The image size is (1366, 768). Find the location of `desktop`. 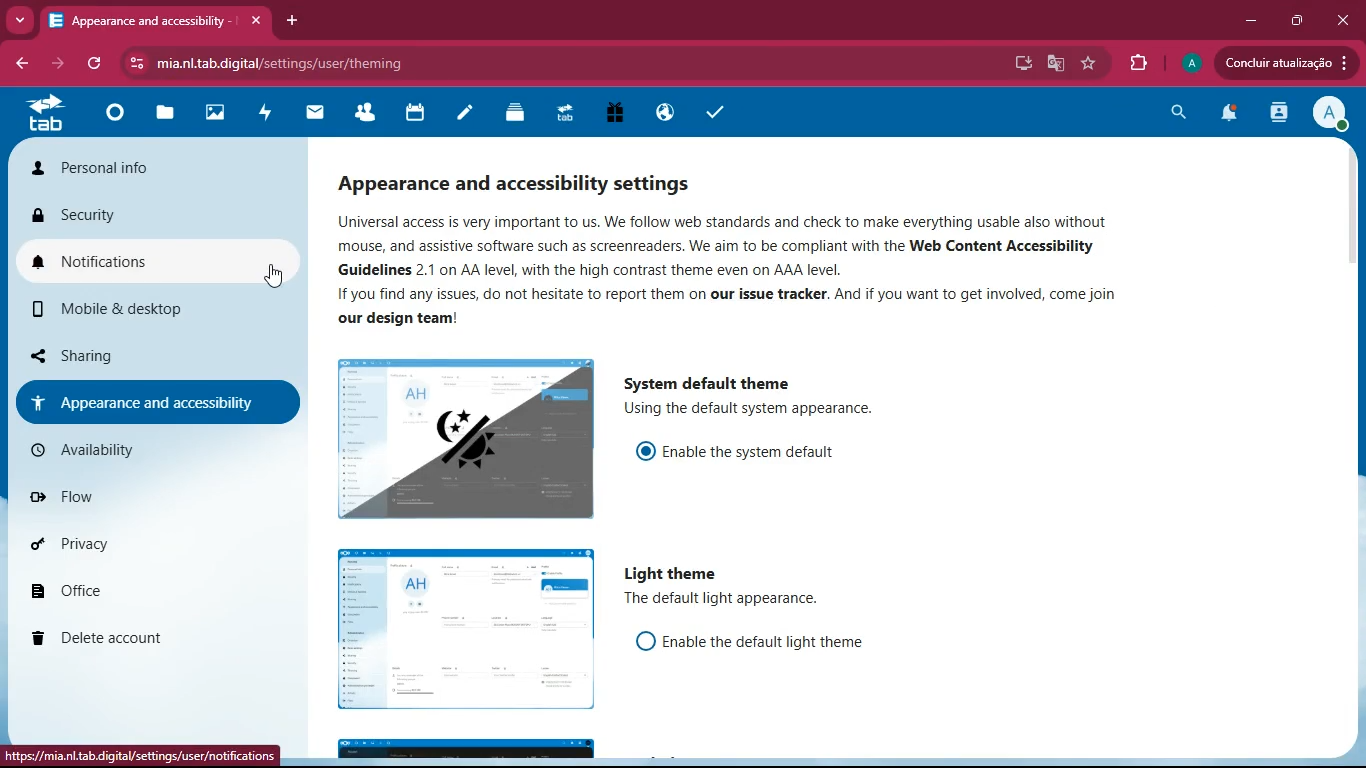

desktop is located at coordinates (1020, 65).